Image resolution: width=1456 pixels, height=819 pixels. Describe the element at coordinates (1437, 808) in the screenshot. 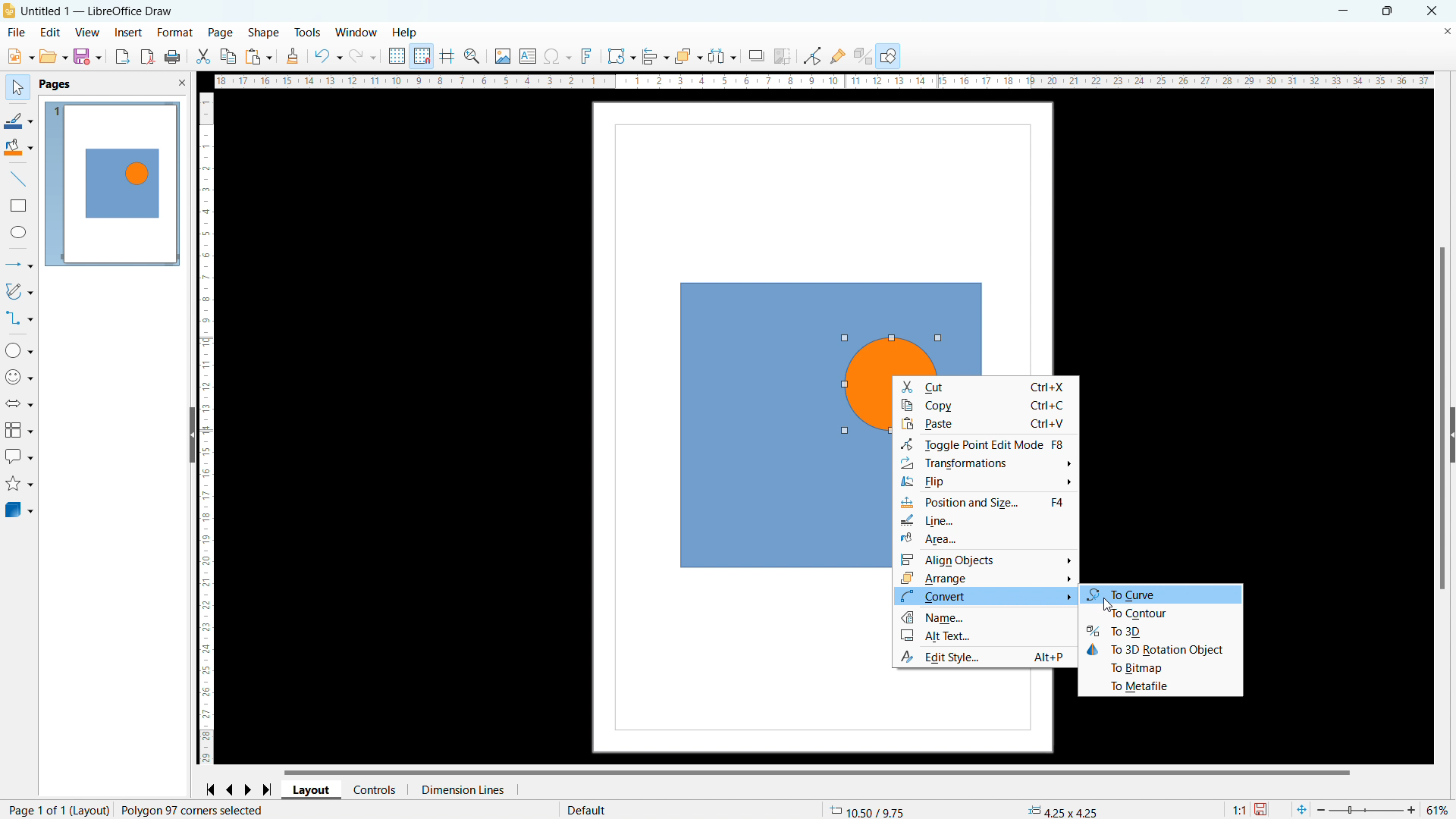

I see `51%` at that location.